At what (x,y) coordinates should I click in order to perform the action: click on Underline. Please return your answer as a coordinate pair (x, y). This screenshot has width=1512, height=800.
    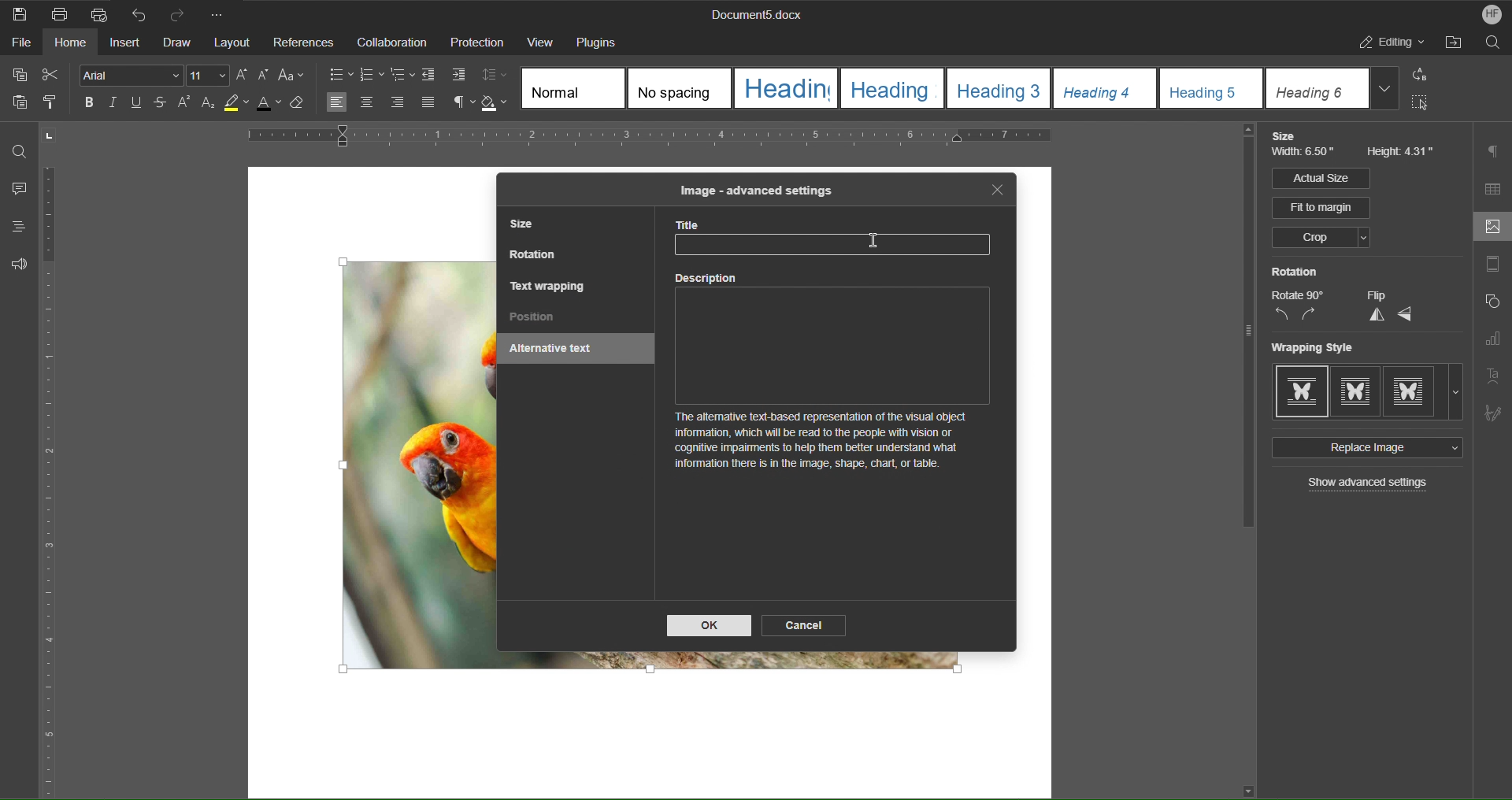
    Looking at the image, I should click on (140, 104).